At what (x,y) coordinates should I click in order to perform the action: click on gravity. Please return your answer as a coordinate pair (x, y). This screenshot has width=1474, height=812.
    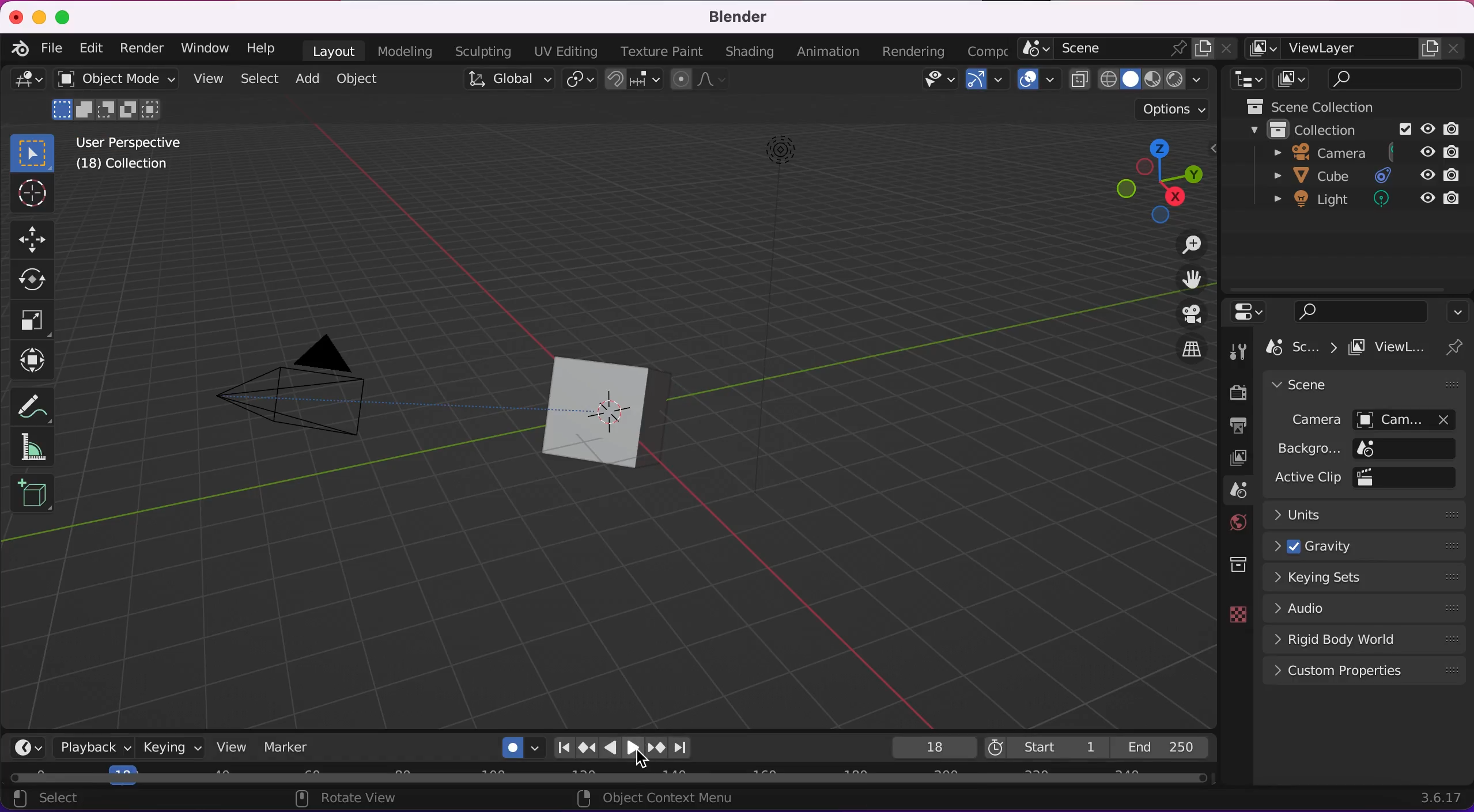
    Looking at the image, I should click on (1363, 547).